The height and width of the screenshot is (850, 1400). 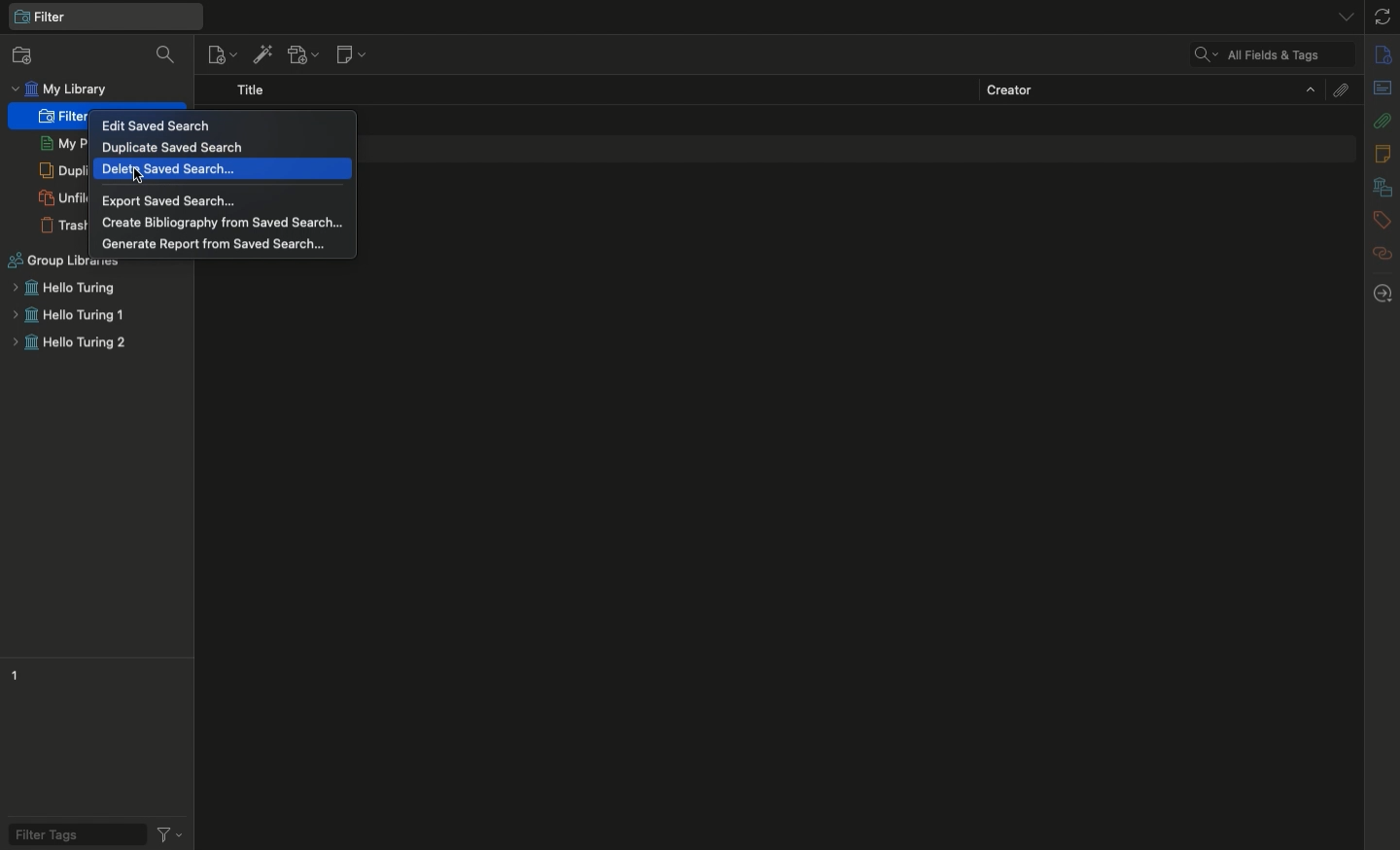 What do you see at coordinates (65, 261) in the screenshot?
I see `Group libraries` at bounding box center [65, 261].